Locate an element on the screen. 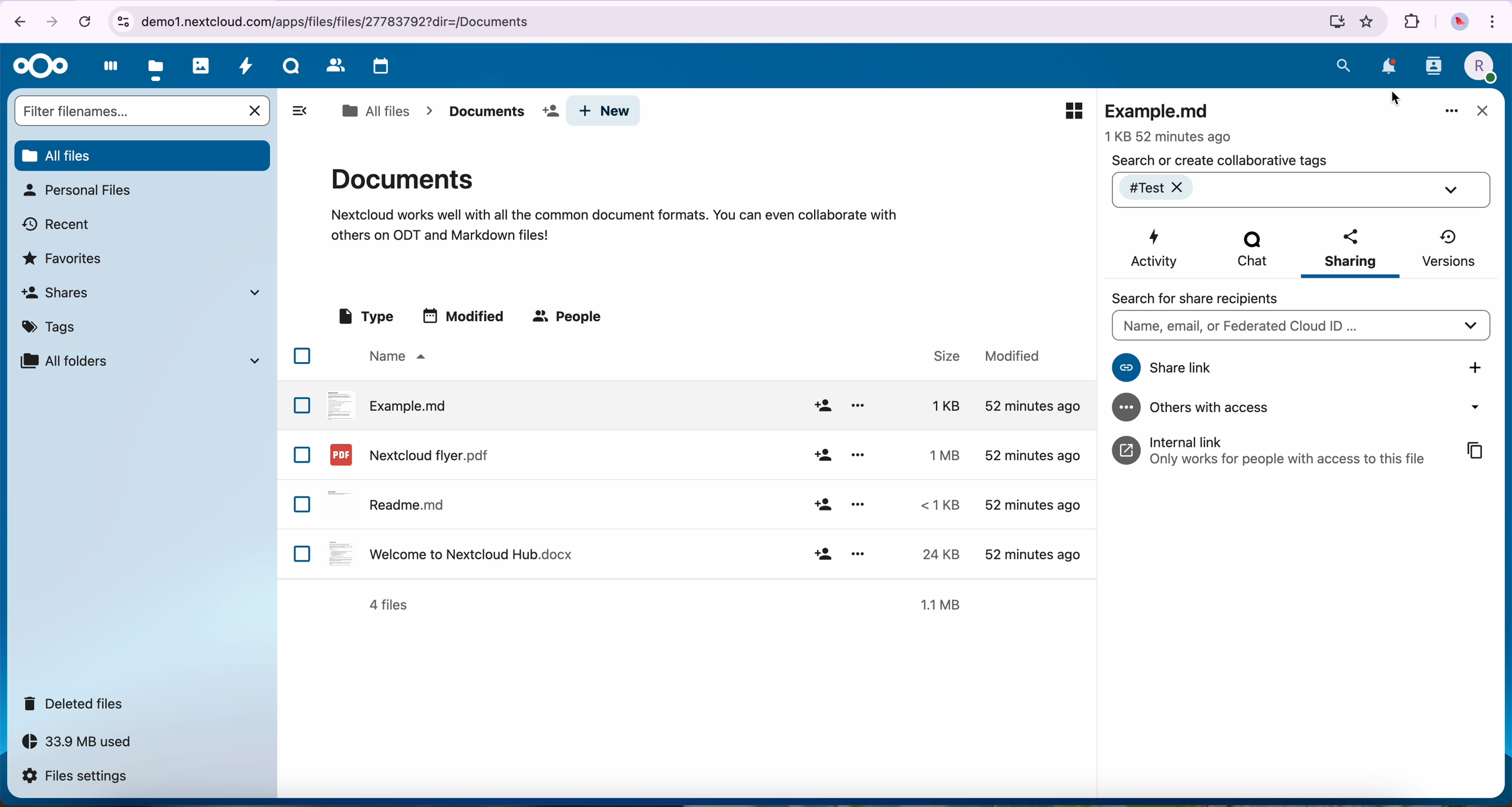 This screenshot has width=1512, height=807. toggle sidebar is located at coordinates (299, 110).